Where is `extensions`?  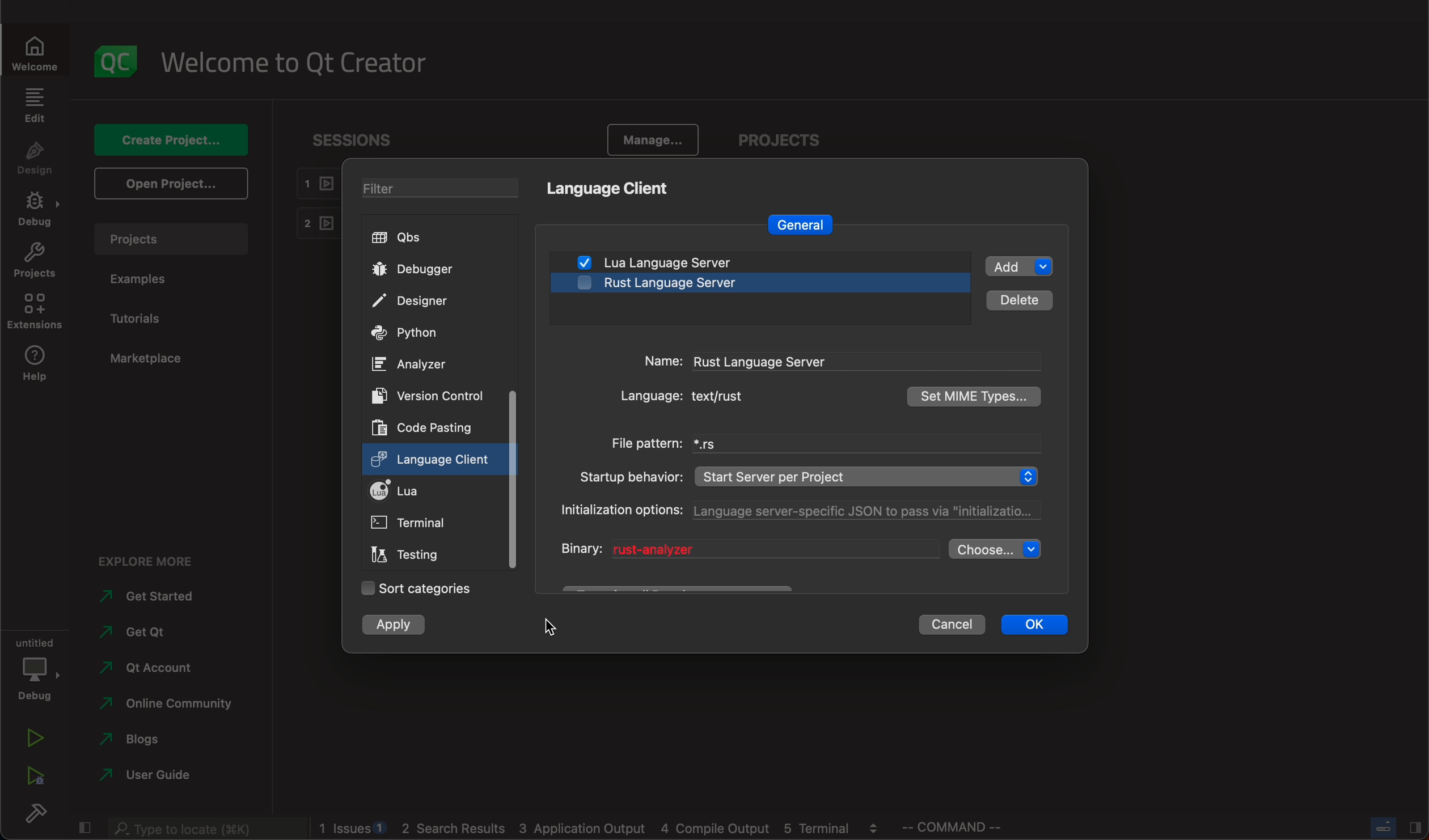 extensions is located at coordinates (35, 312).